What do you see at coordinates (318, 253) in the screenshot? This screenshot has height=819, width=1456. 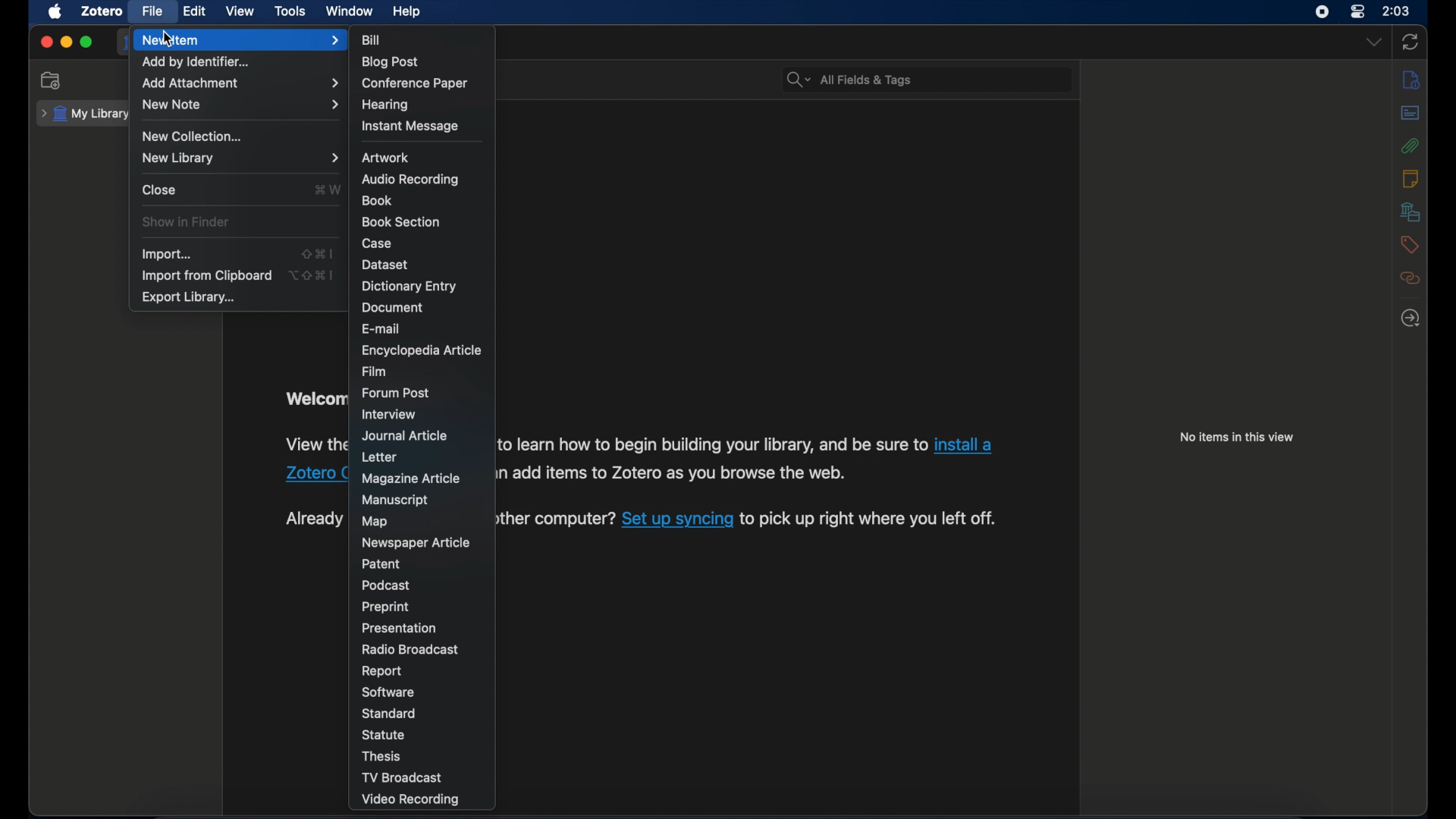 I see `shortcut` at bounding box center [318, 253].